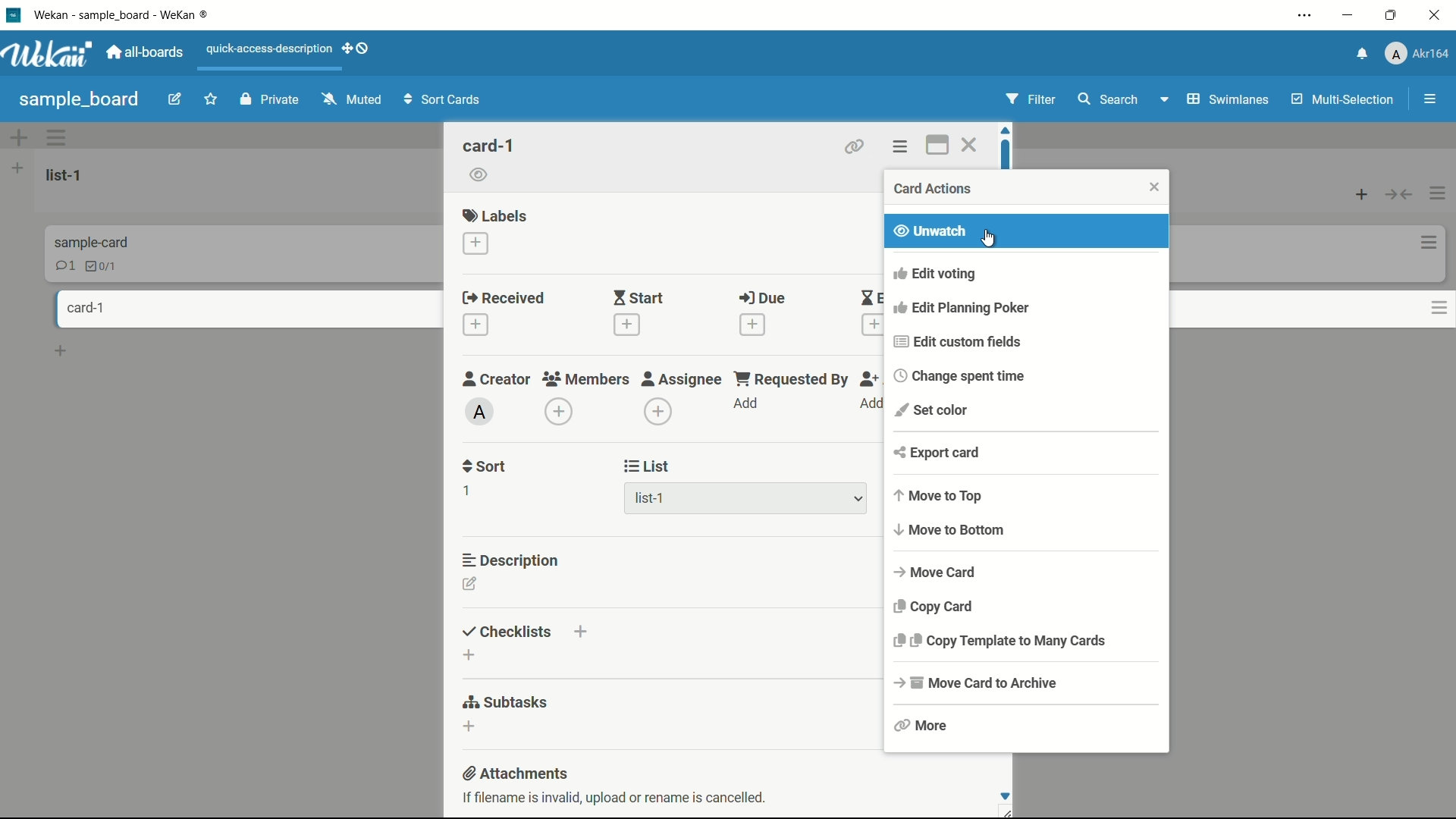  I want to click on if filename is invalid upload or rename is cancelled., so click(610, 800).